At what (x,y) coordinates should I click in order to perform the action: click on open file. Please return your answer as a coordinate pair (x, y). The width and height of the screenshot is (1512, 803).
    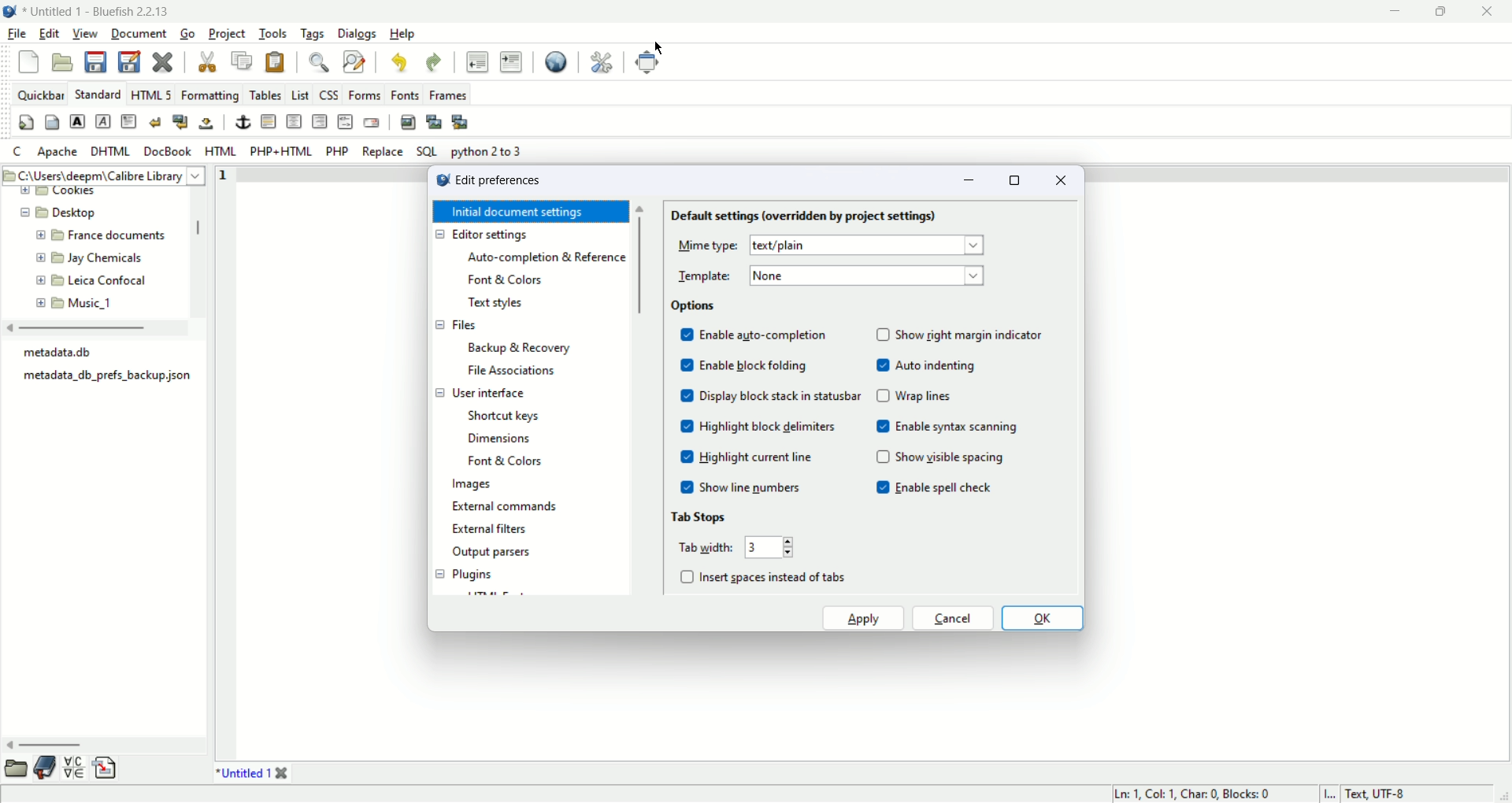
    Looking at the image, I should click on (63, 63).